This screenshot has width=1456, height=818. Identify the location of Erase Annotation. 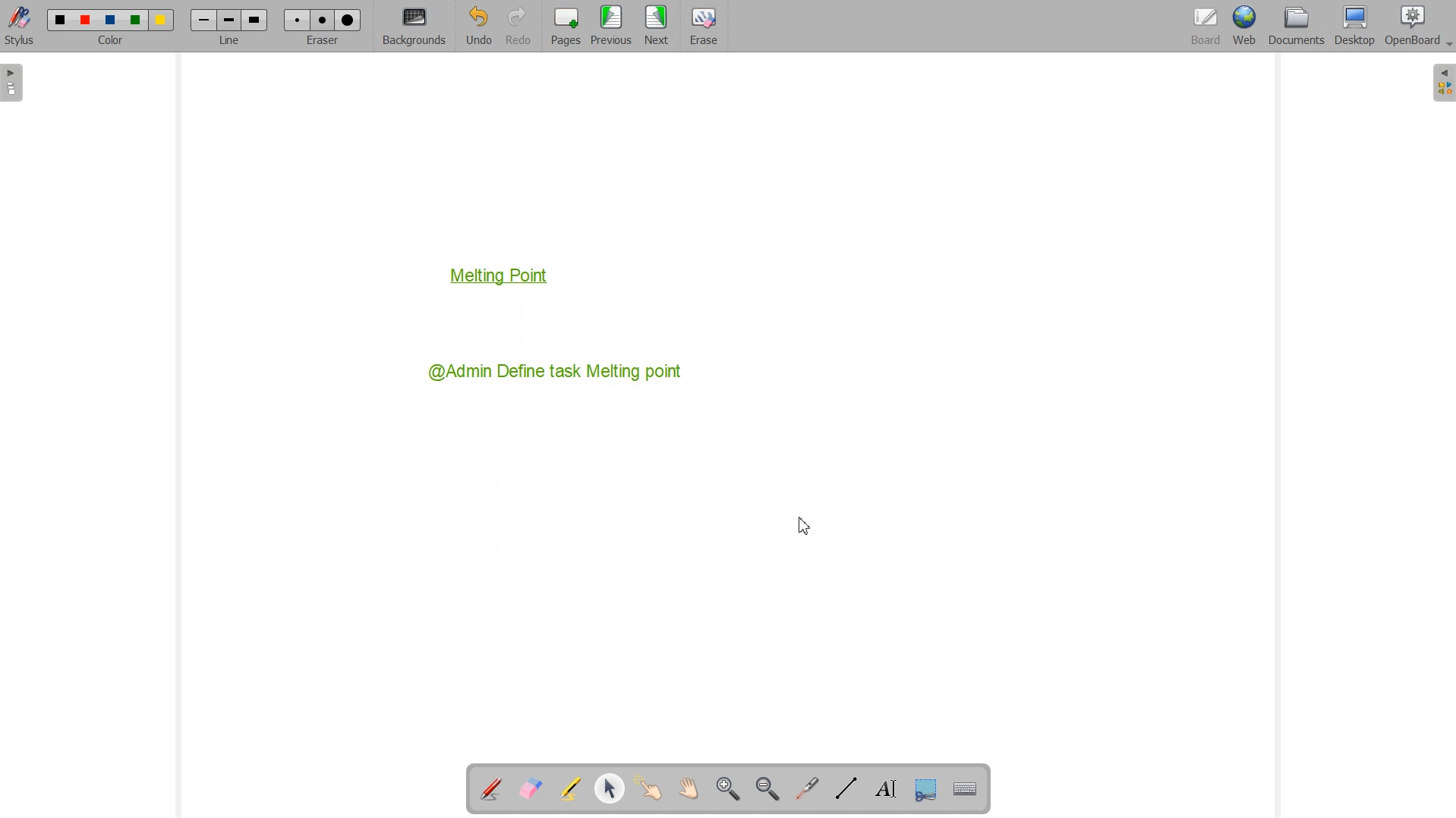
(530, 789).